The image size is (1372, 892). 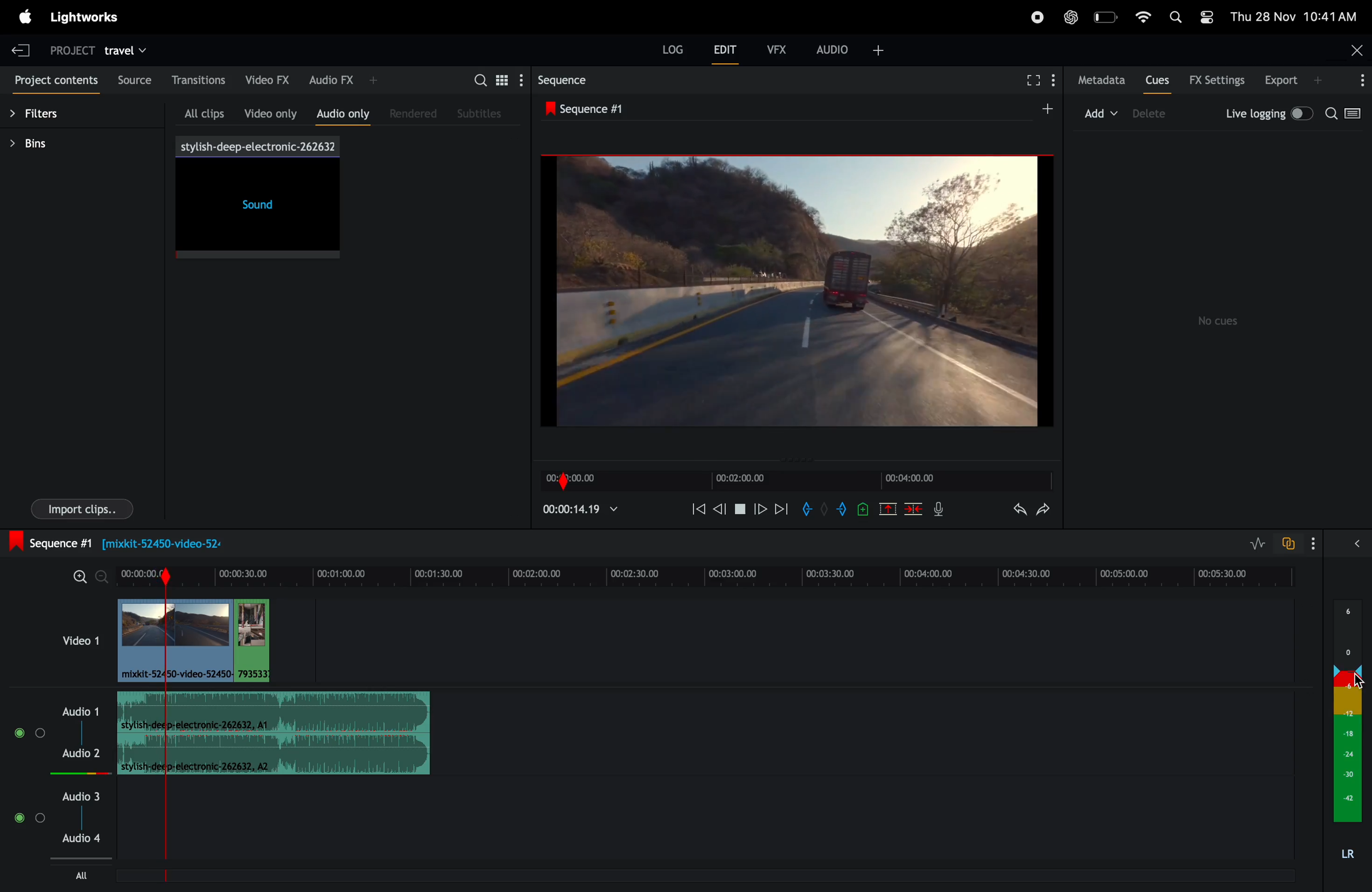 I want to click on search, so click(x=1330, y=114).